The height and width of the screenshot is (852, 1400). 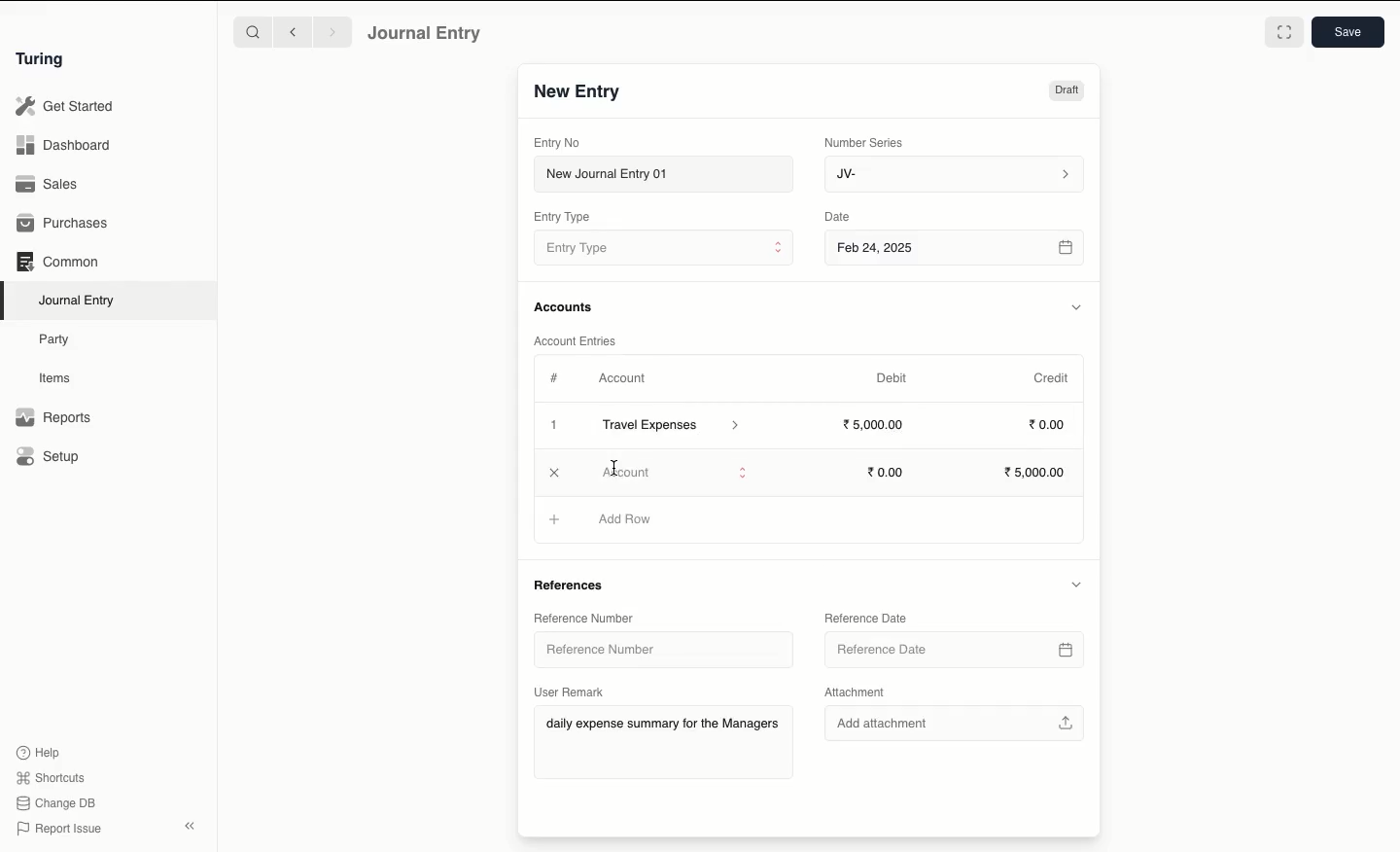 I want to click on Journal Entry, so click(x=78, y=302).